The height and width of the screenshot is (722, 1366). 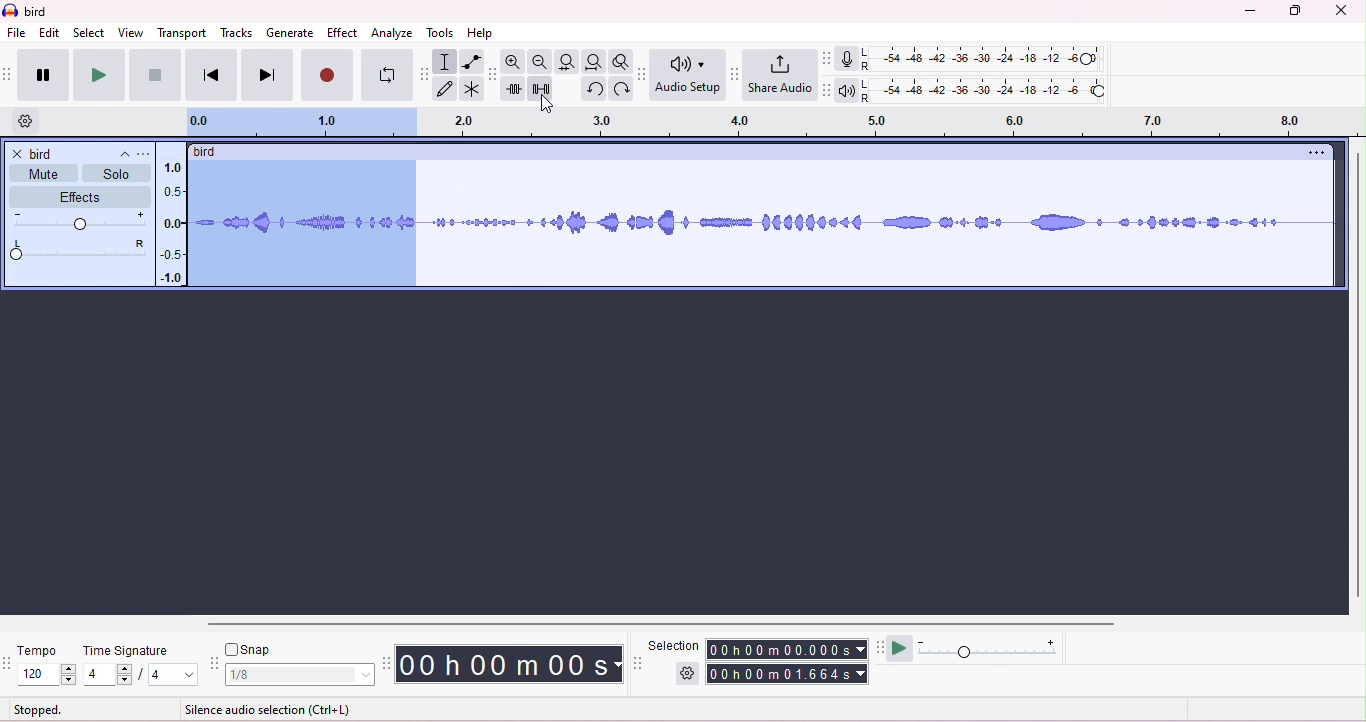 I want to click on timeline, so click(x=768, y=121).